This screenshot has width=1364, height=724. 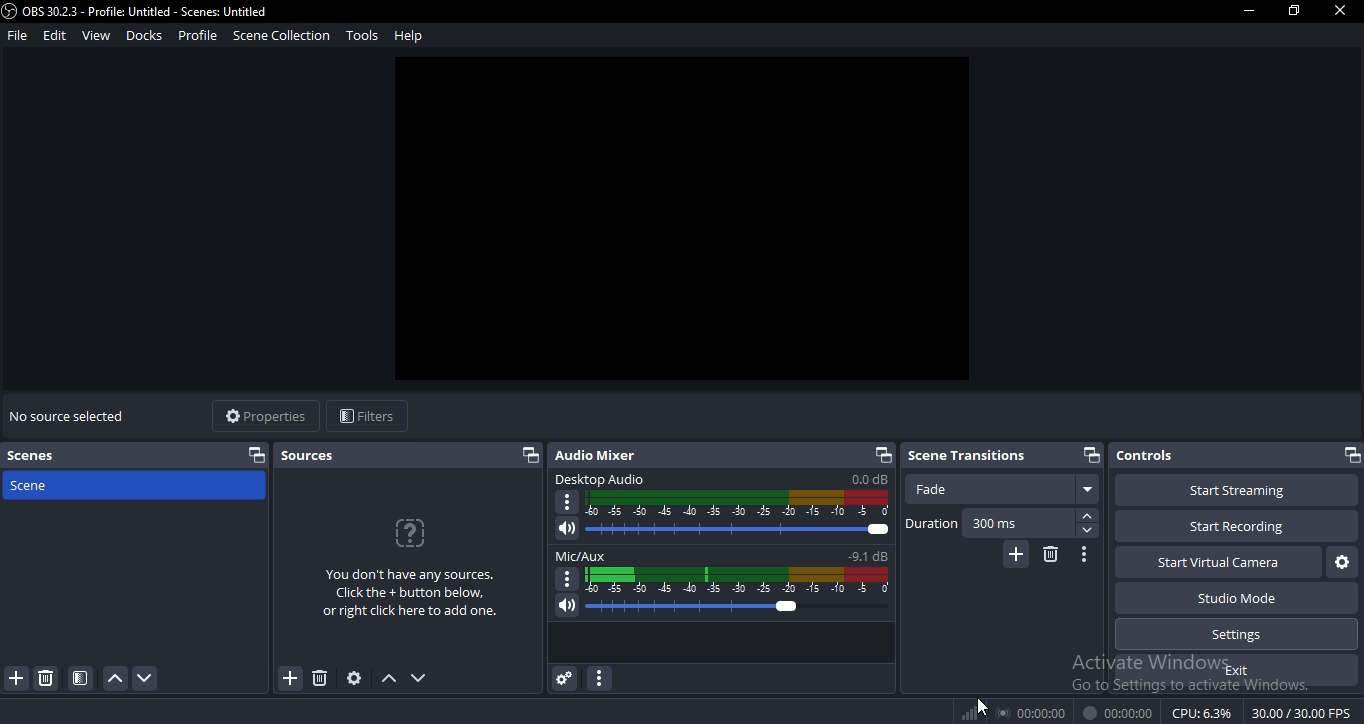 I want to click on scene collection, so click(x=280, y=35).